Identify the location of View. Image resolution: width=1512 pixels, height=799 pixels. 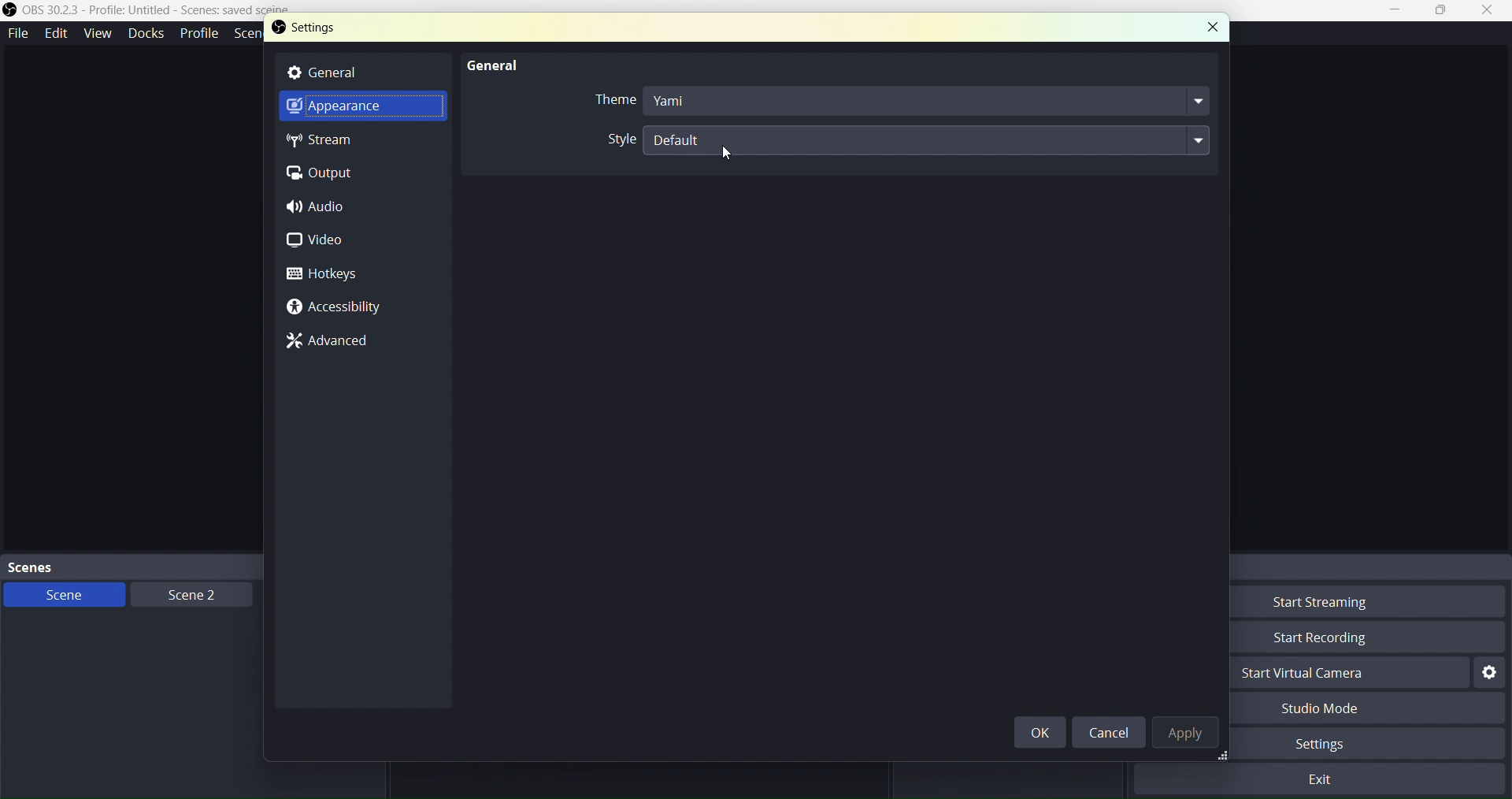
(95, 32).